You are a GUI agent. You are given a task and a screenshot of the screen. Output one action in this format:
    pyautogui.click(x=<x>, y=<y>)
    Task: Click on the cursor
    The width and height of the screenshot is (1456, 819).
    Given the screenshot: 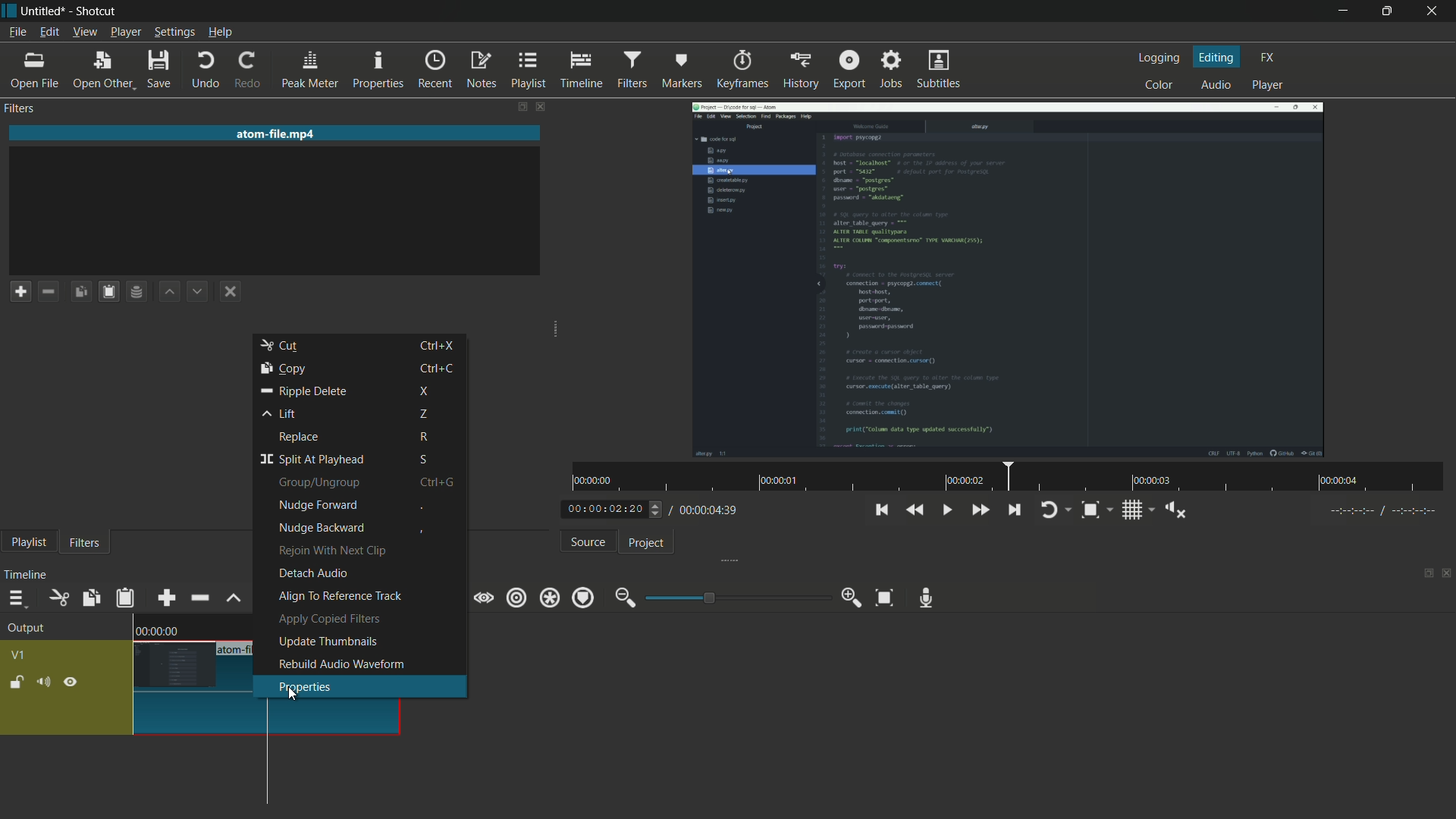 What is the action you would take?
    pyautogui.click(x=293, y=695)
    